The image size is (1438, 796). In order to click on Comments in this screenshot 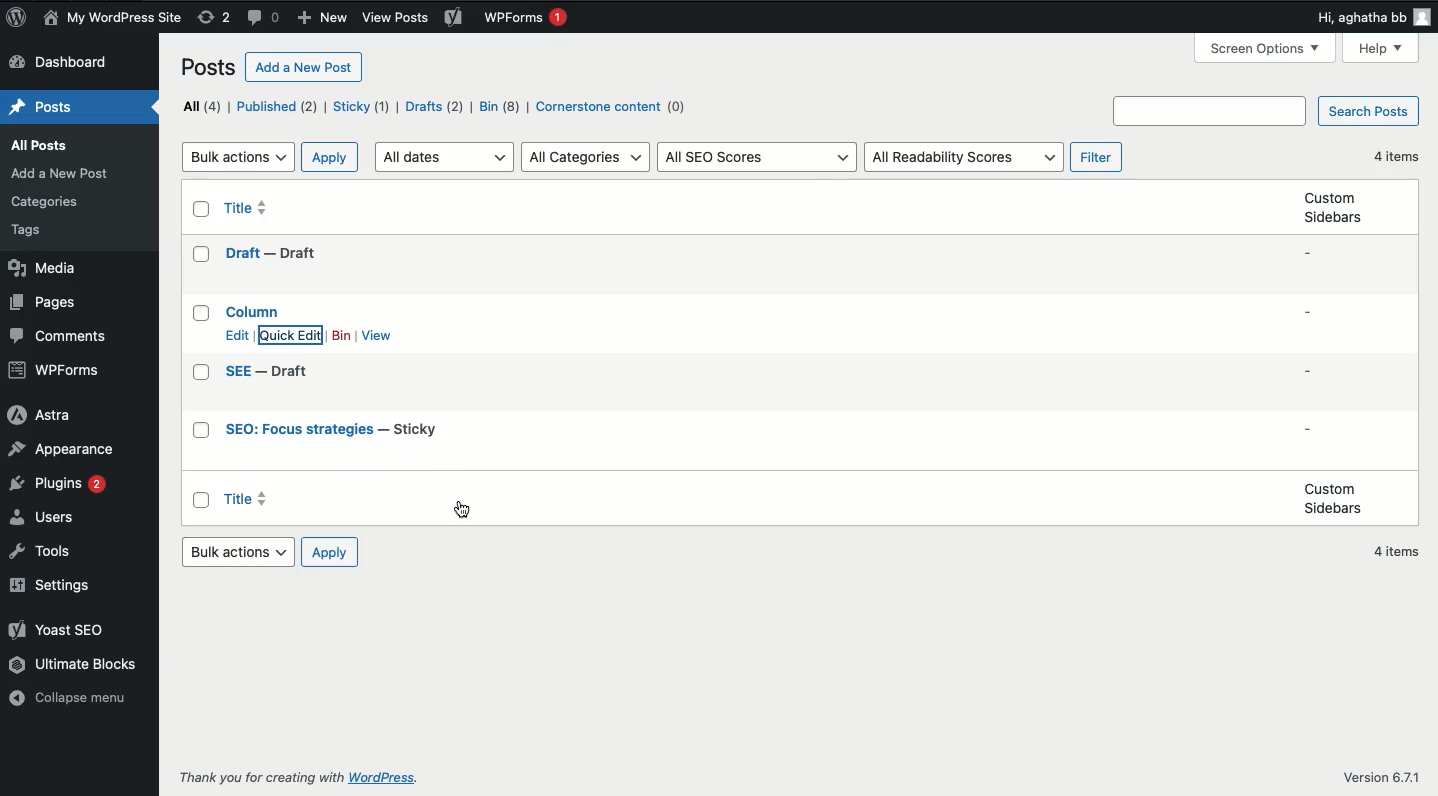, I will do `click(56, 337)`.